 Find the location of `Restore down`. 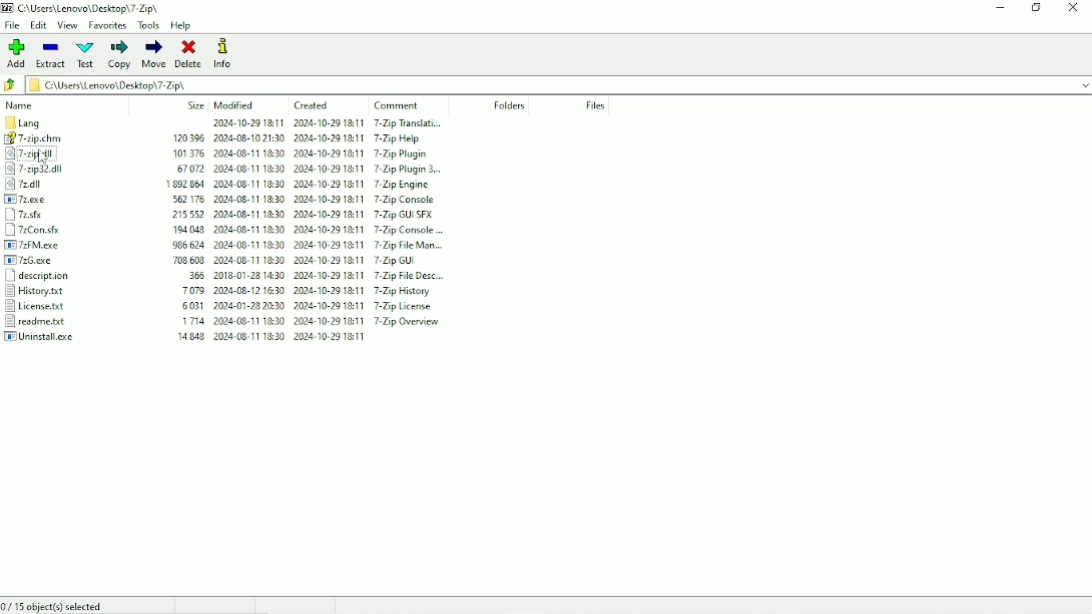

Restore down is located at coordinates (1037, 7).